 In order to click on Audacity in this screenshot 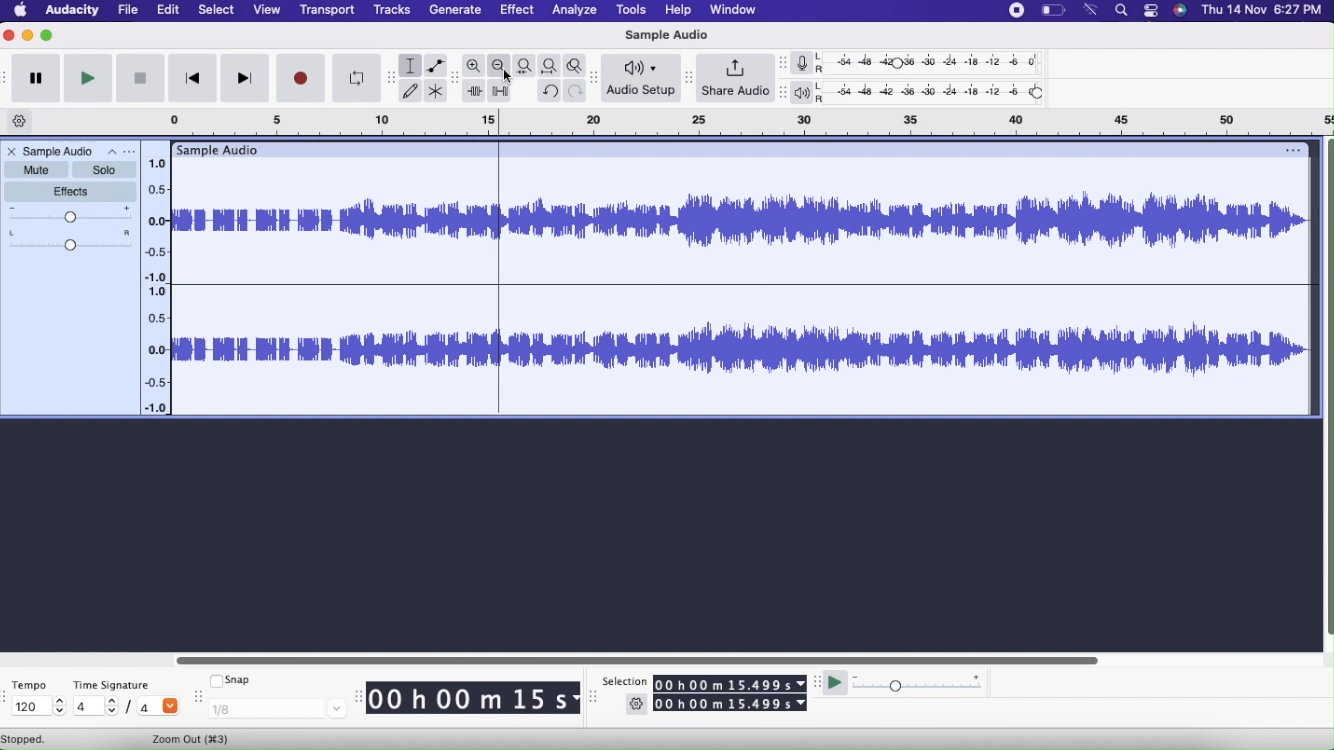, I will do `click(75, 10)`.